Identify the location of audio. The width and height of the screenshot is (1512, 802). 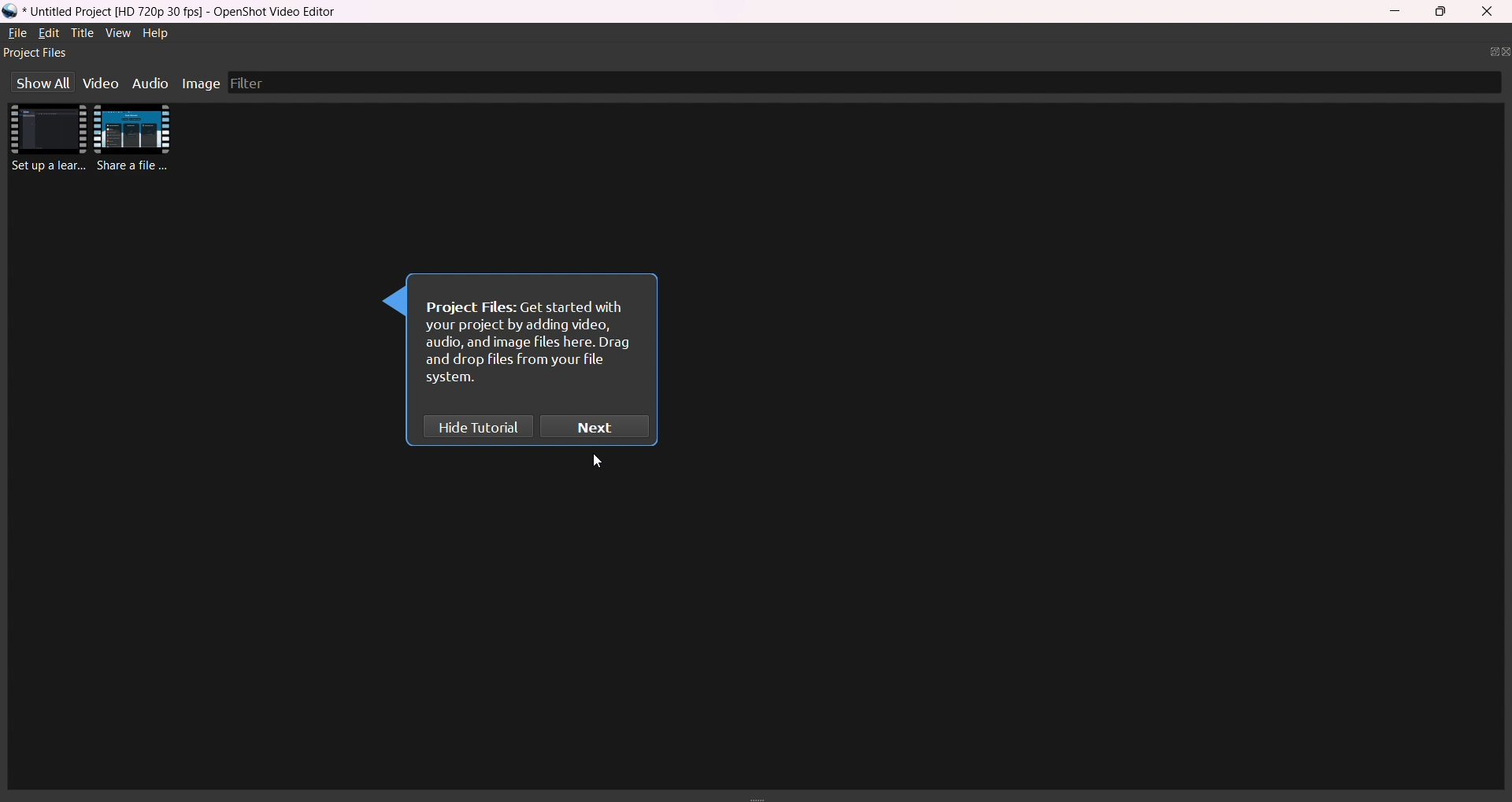
(150, 84).